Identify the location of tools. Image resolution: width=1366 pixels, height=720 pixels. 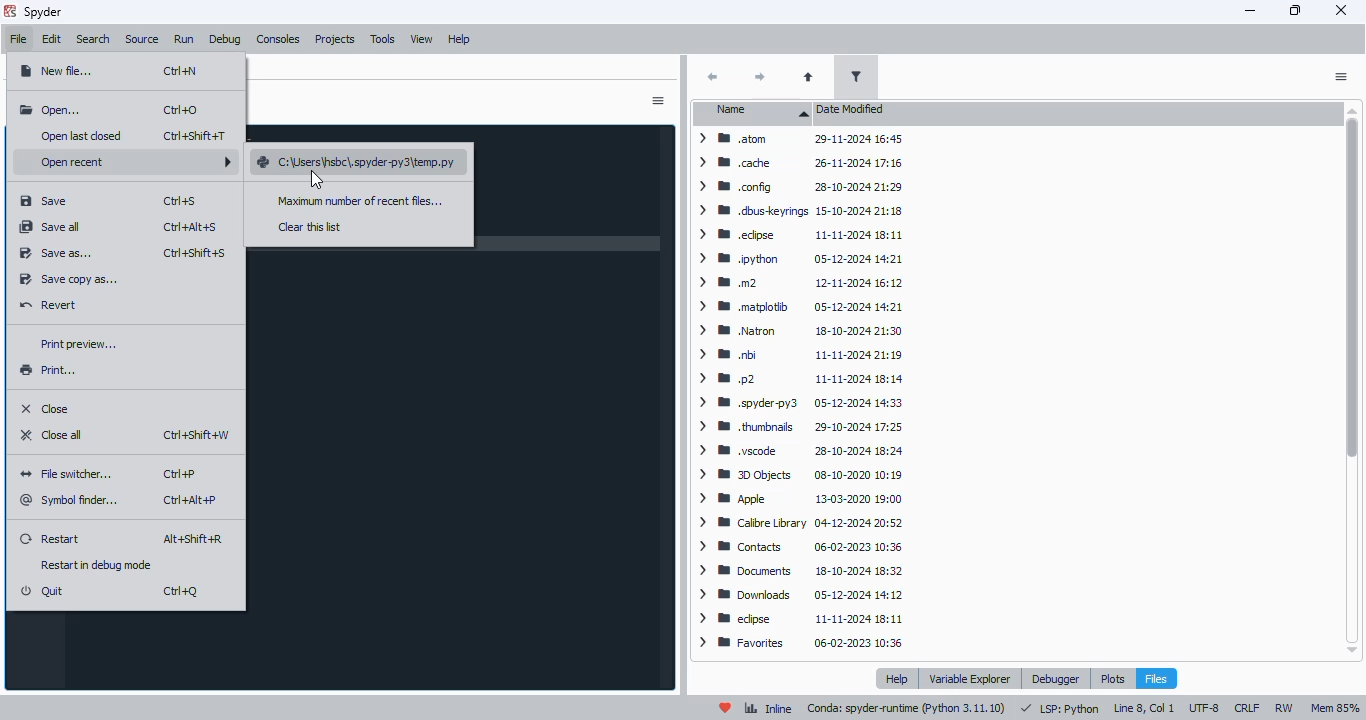
(382, 39).